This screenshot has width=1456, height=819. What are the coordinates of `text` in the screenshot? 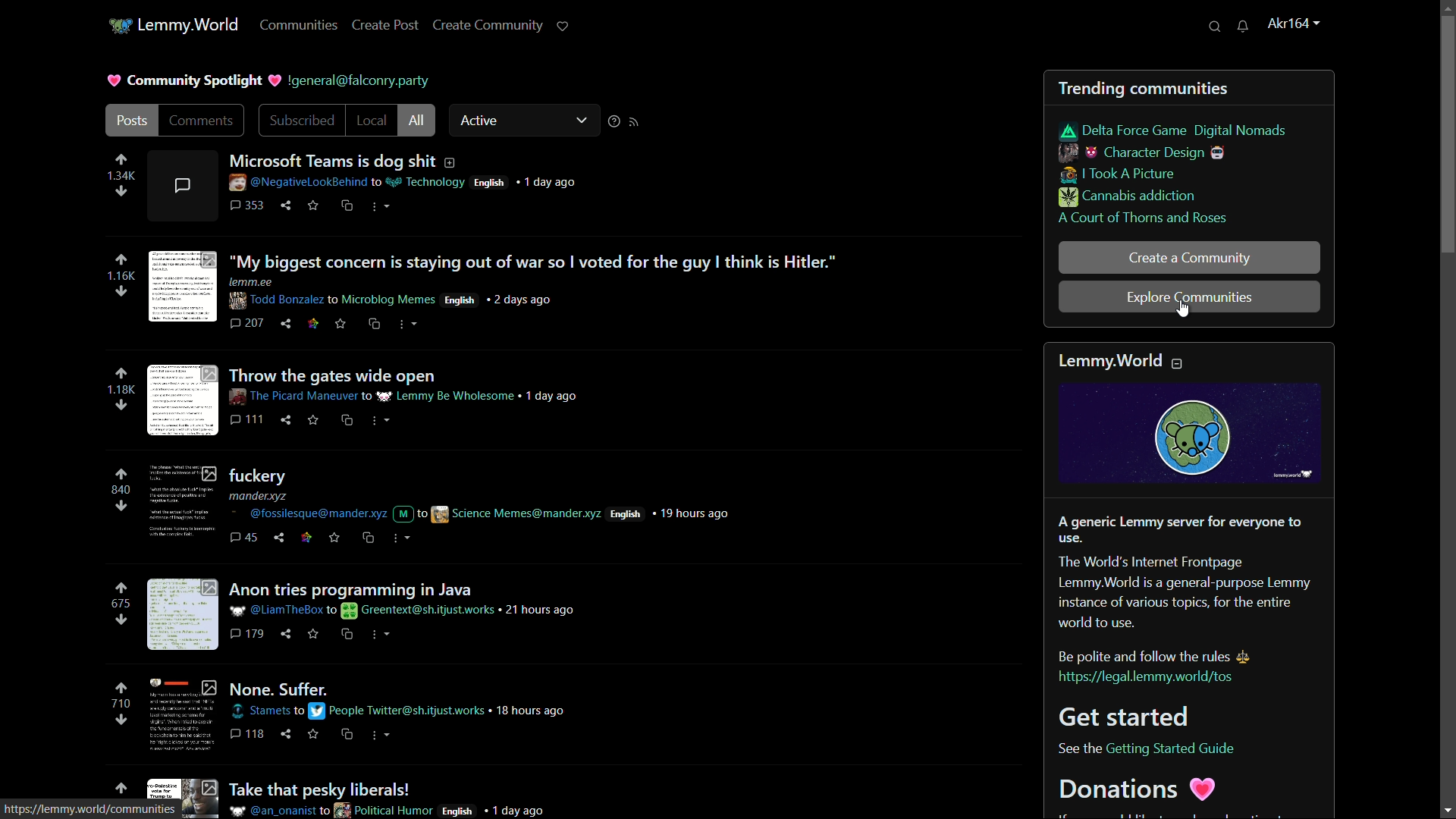 It's located at (1121, 358).